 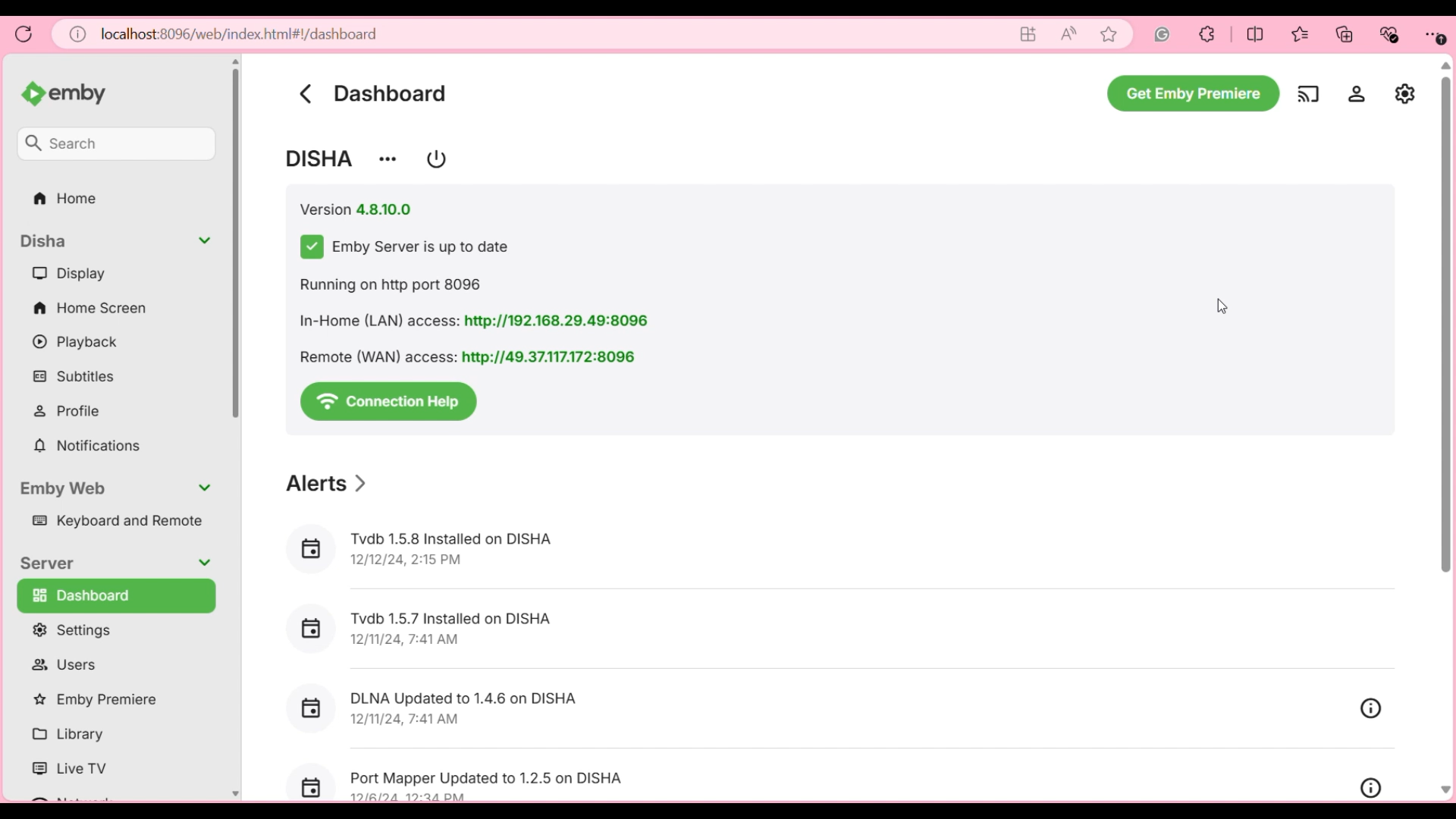 I want to click on In-Home (LAN) access: http://192.168.29.49:8096, so click(x=476, y=321).